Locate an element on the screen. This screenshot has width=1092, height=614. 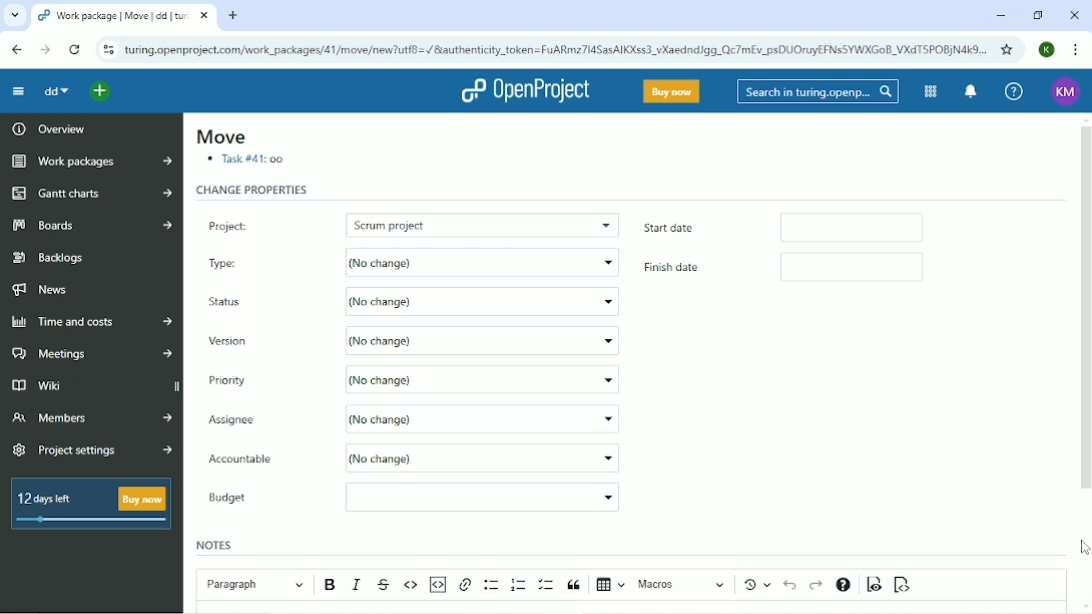
Overview is located at coordinates (47, 128).